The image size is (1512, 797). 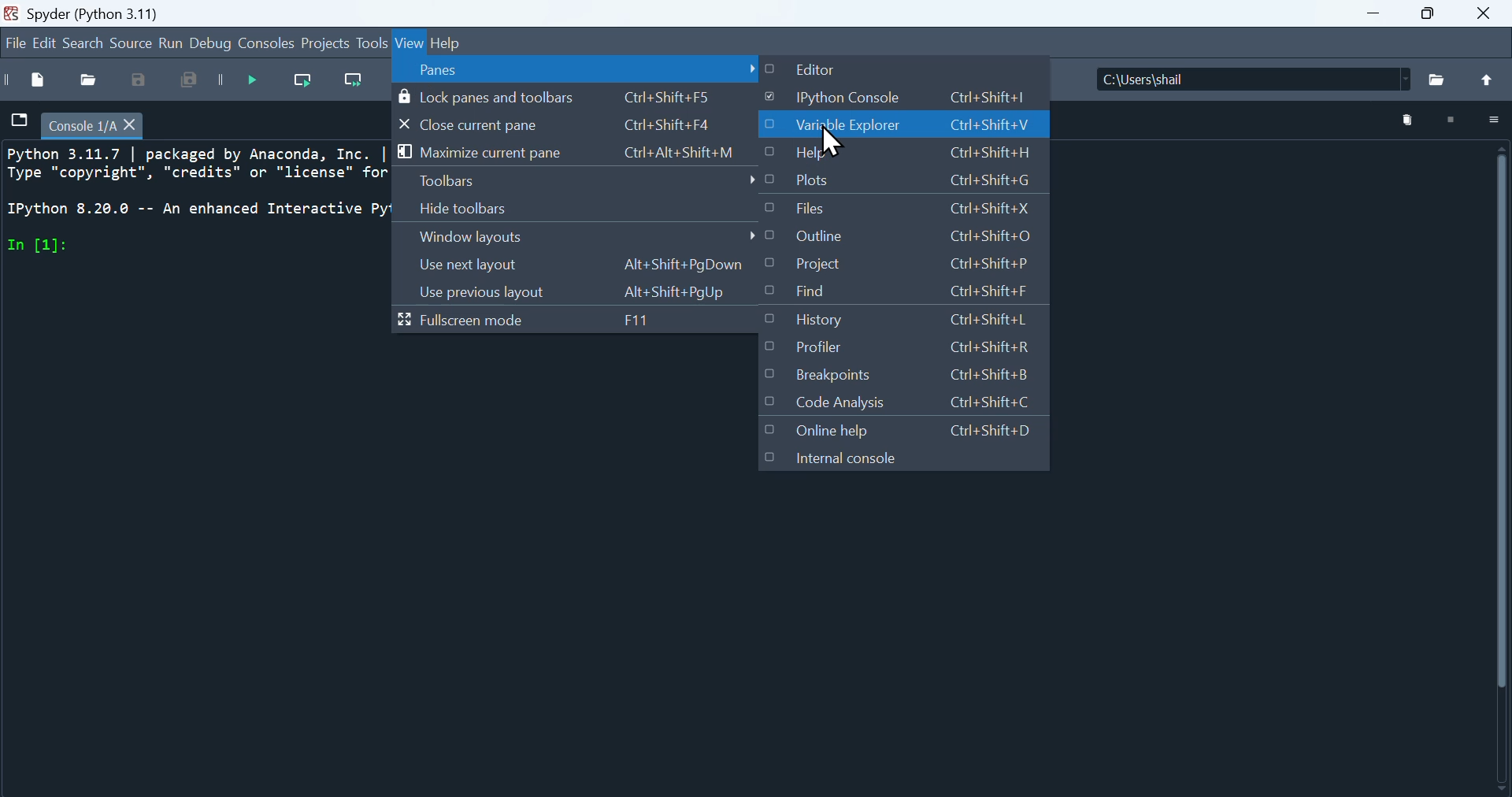 What do you see at coordinates (910, 347) in the screenshot?
I see `Profiler` at bounding box center [910, 347].